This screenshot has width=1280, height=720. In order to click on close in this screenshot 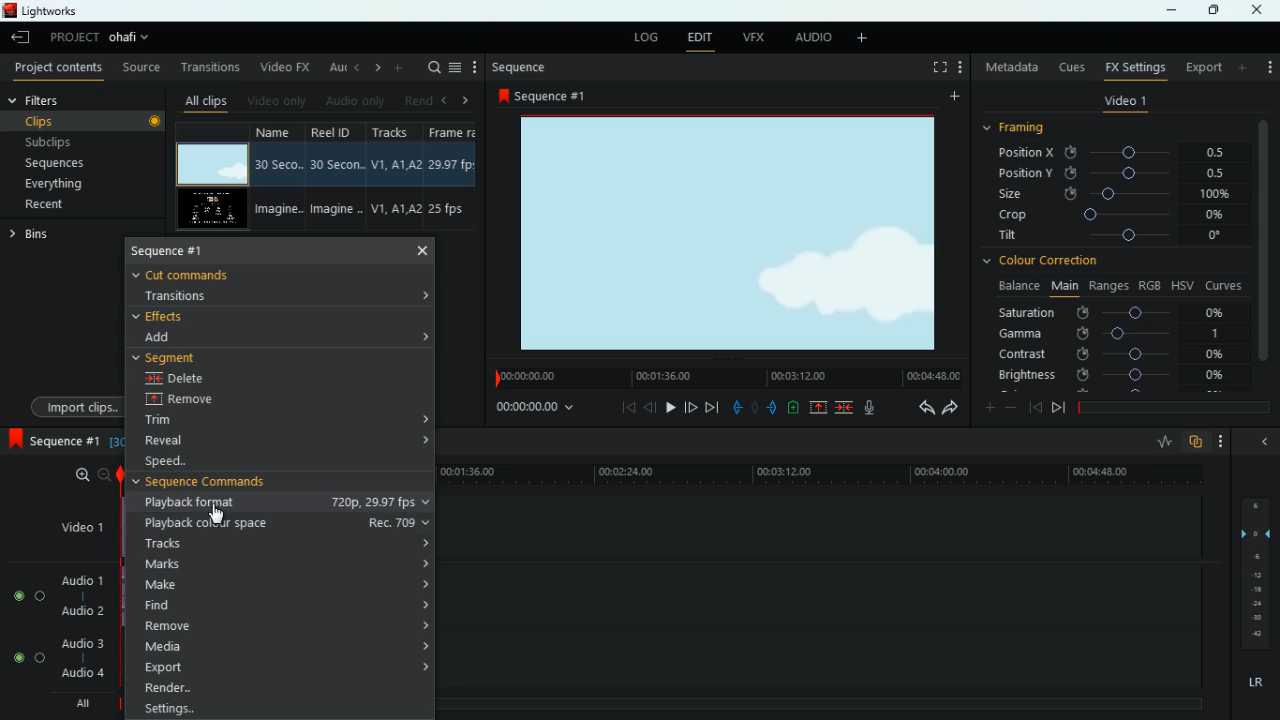, I will do `click(1259, 10)`.